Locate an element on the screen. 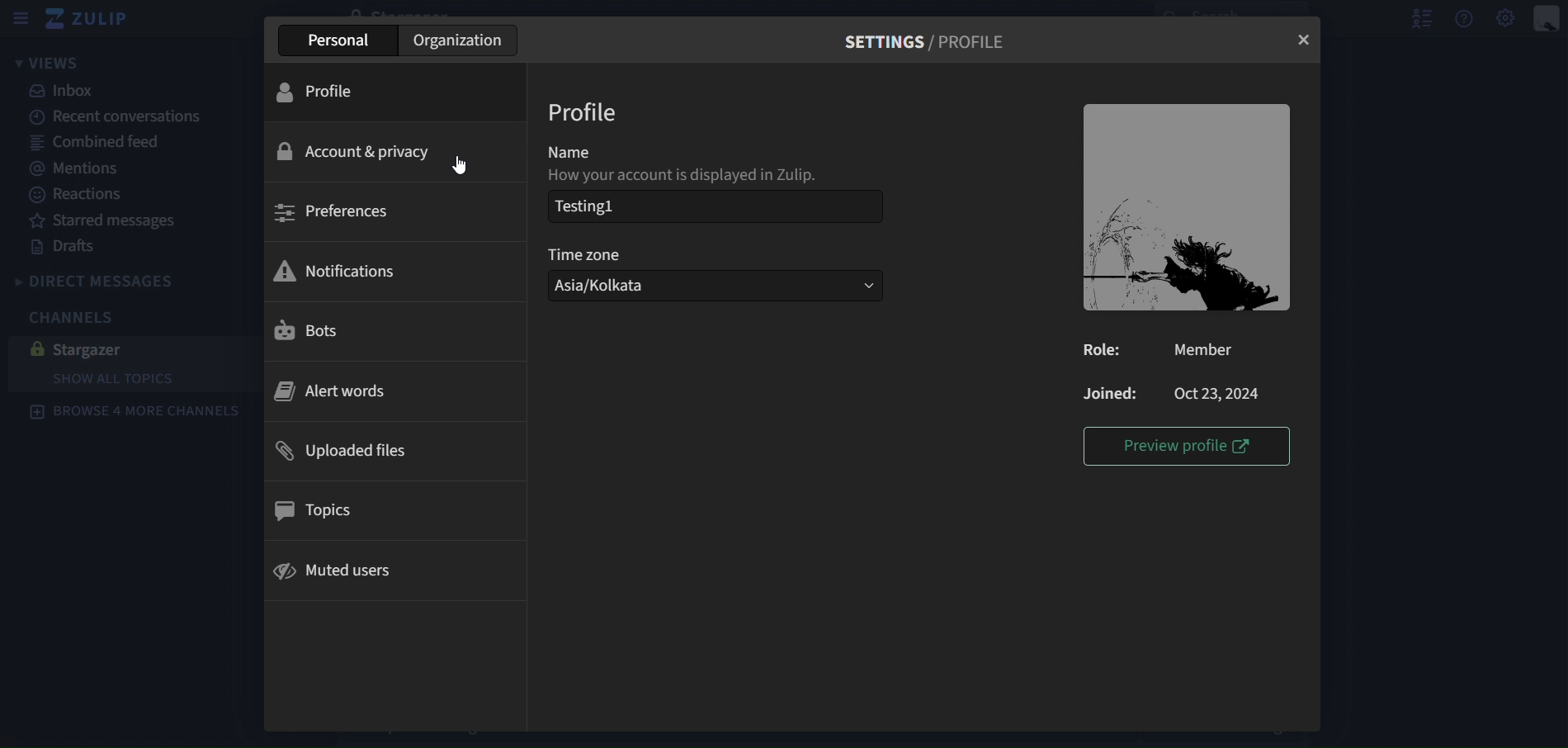 Image resolution: width=1568 pixels, height=748 pixels. close is located at coordinates (1306, 39).